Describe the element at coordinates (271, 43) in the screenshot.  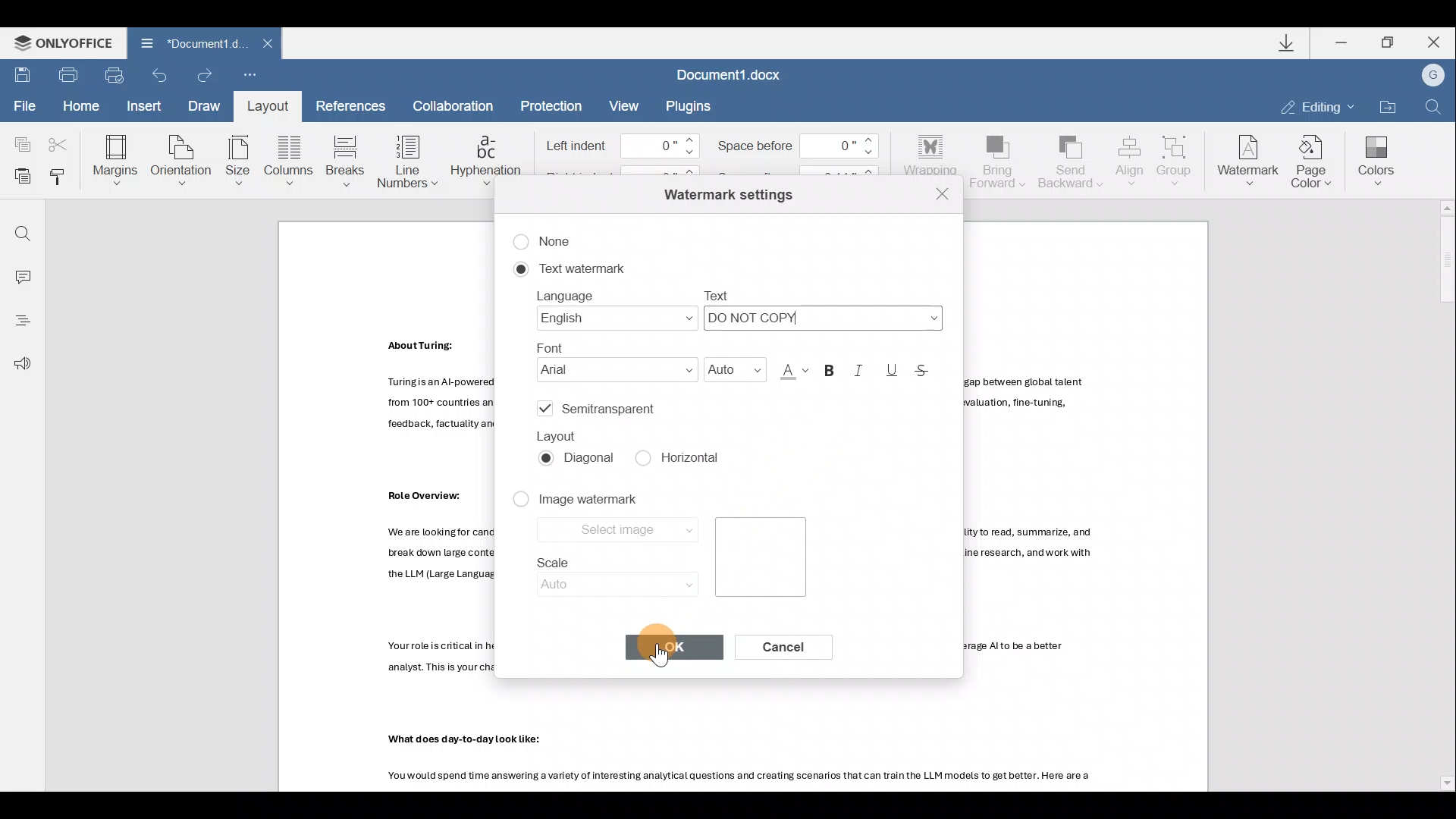
I see `Close` at that location.